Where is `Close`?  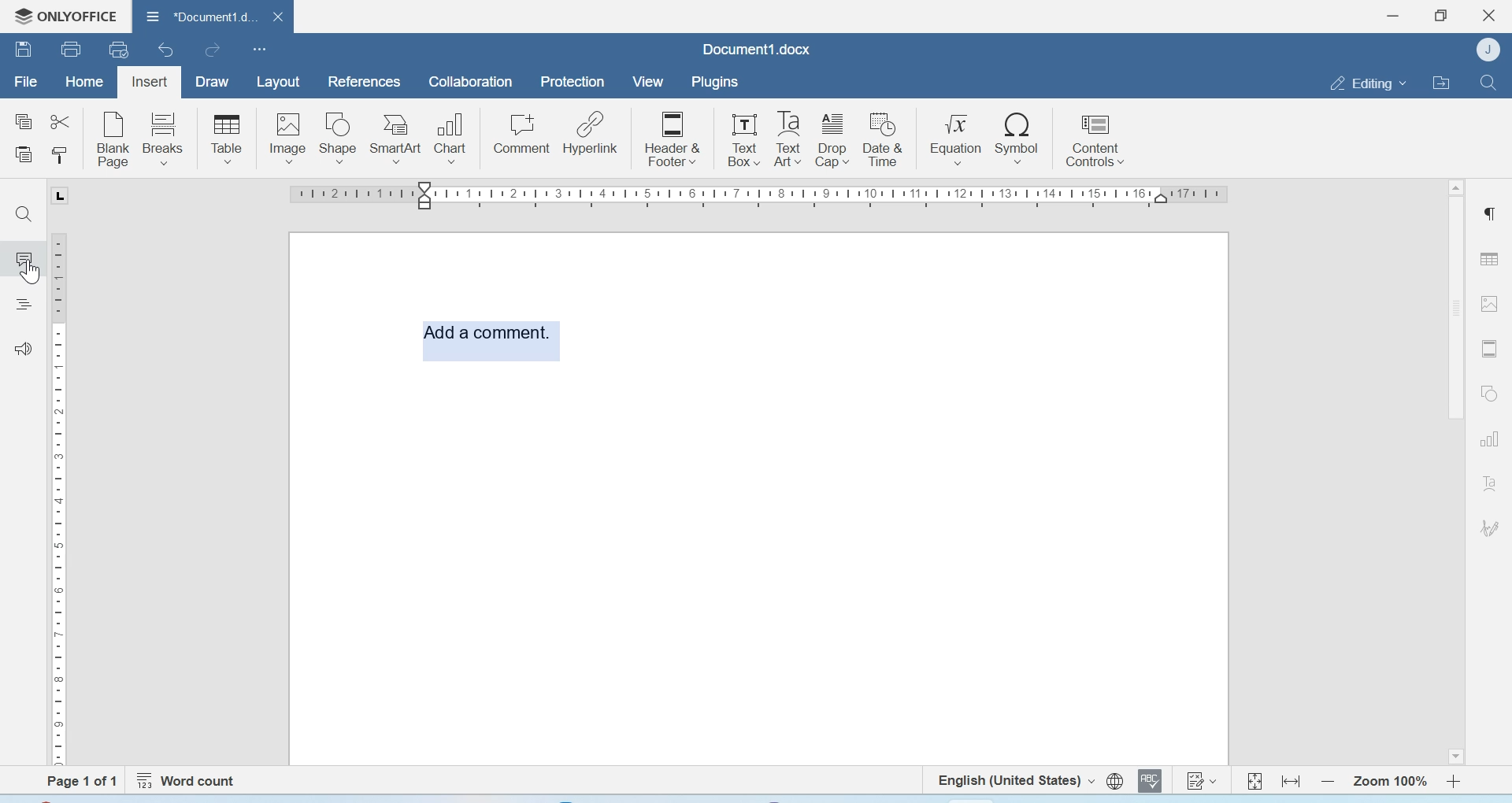 Close is located at coordinates (1491, 16).